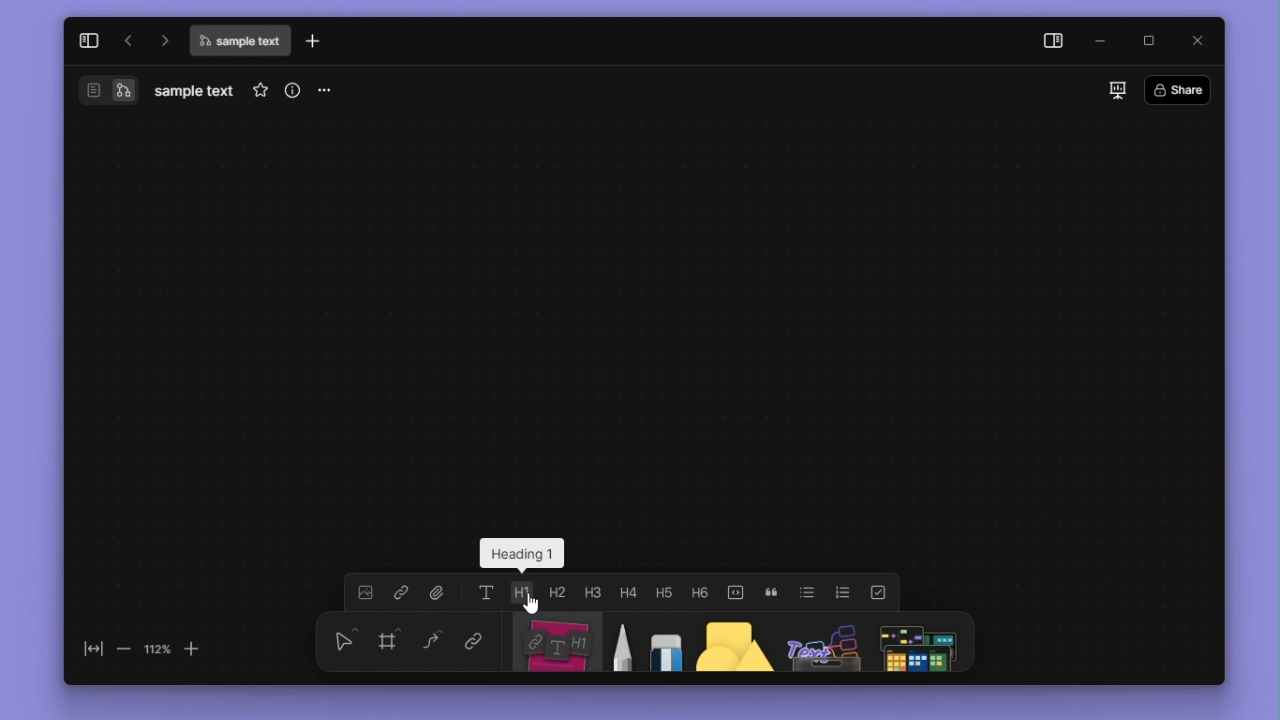 This screenshot has height=720, width=1280. Describe the element at coordinates (125, 650) in the screenshot. I see `zoom out` at that location.